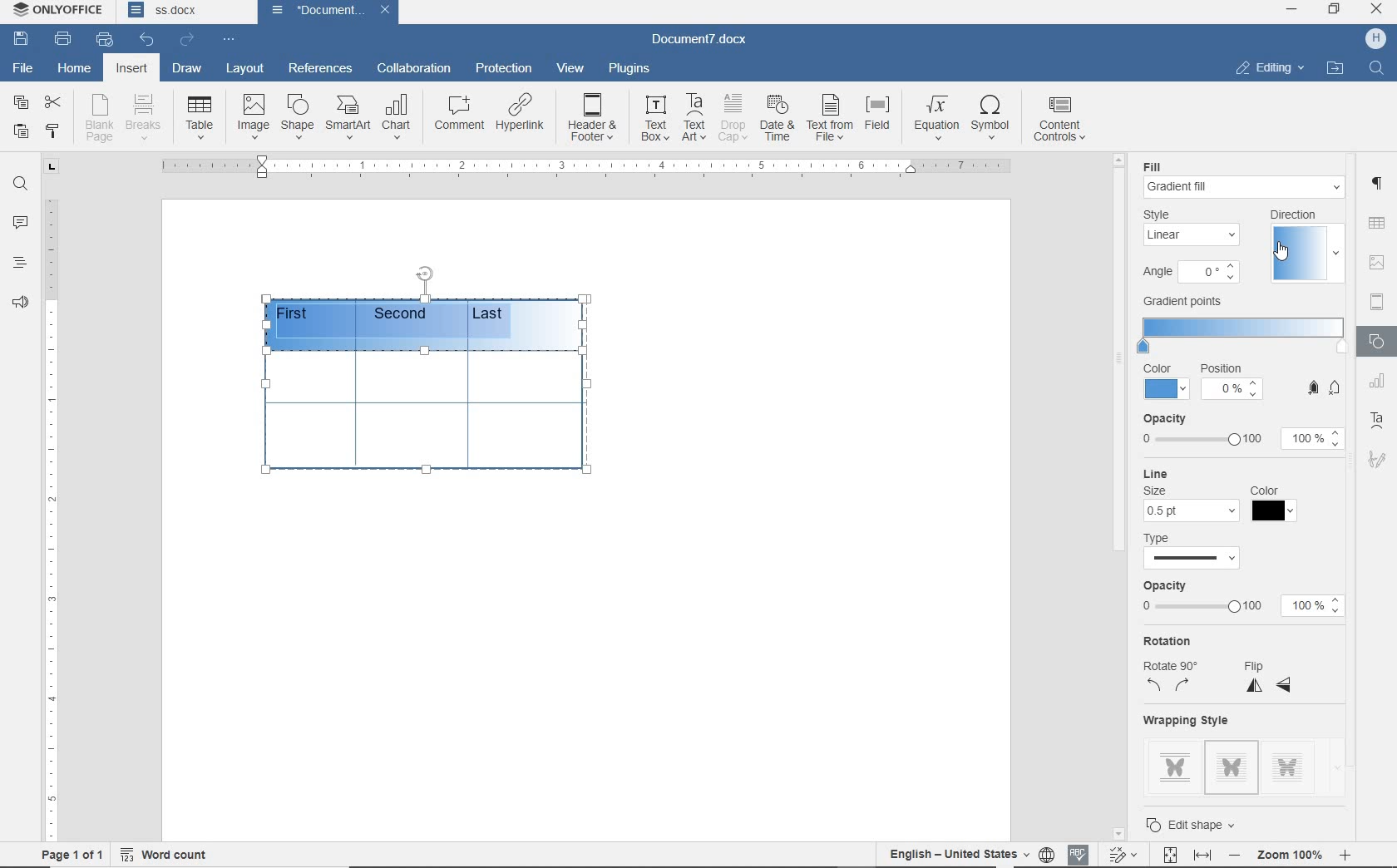  I want to click on scrollbar, so click(1119, 496).